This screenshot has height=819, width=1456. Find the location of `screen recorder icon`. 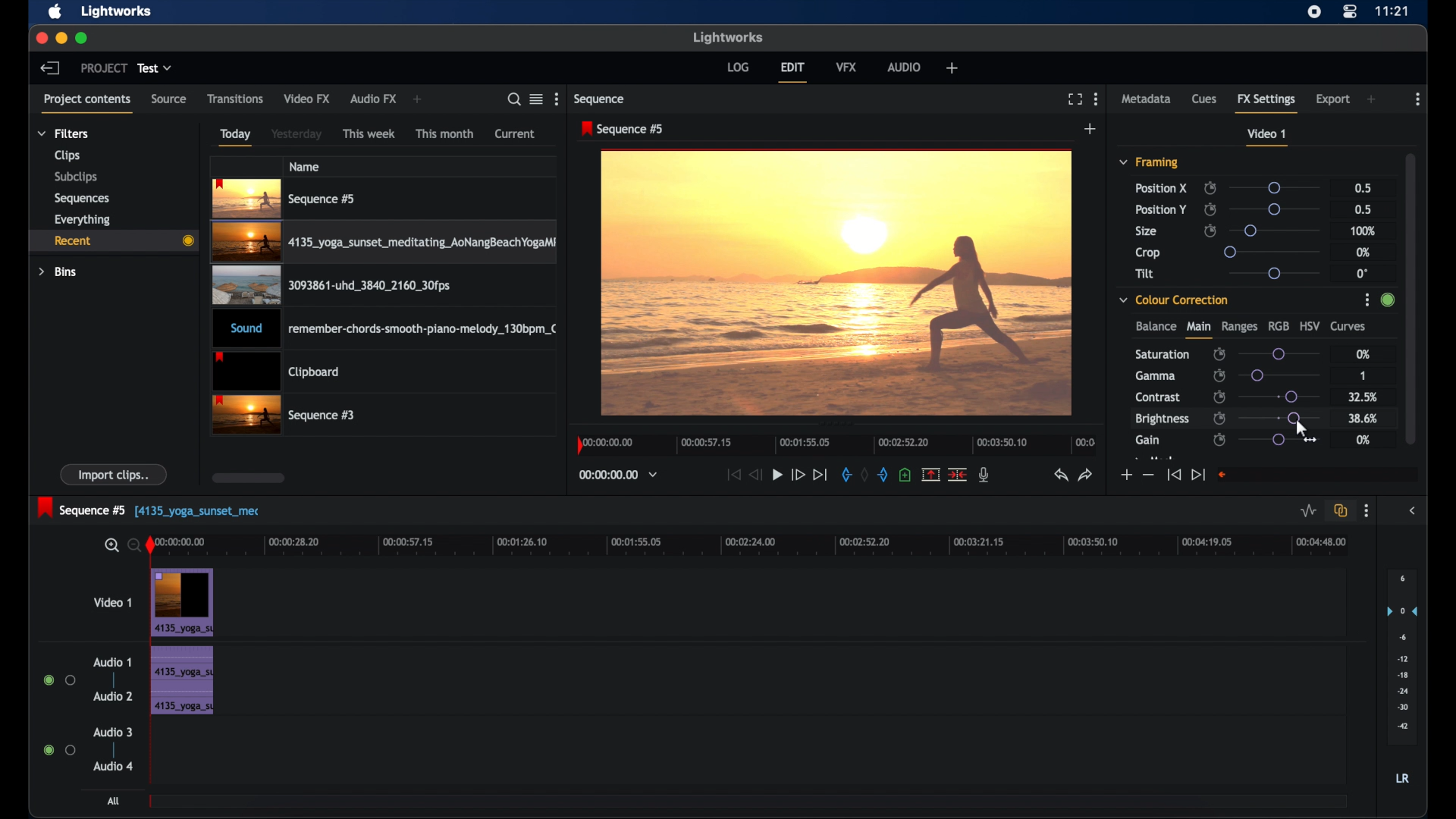

screen recorder icon is located at coordinates (1314, 12).